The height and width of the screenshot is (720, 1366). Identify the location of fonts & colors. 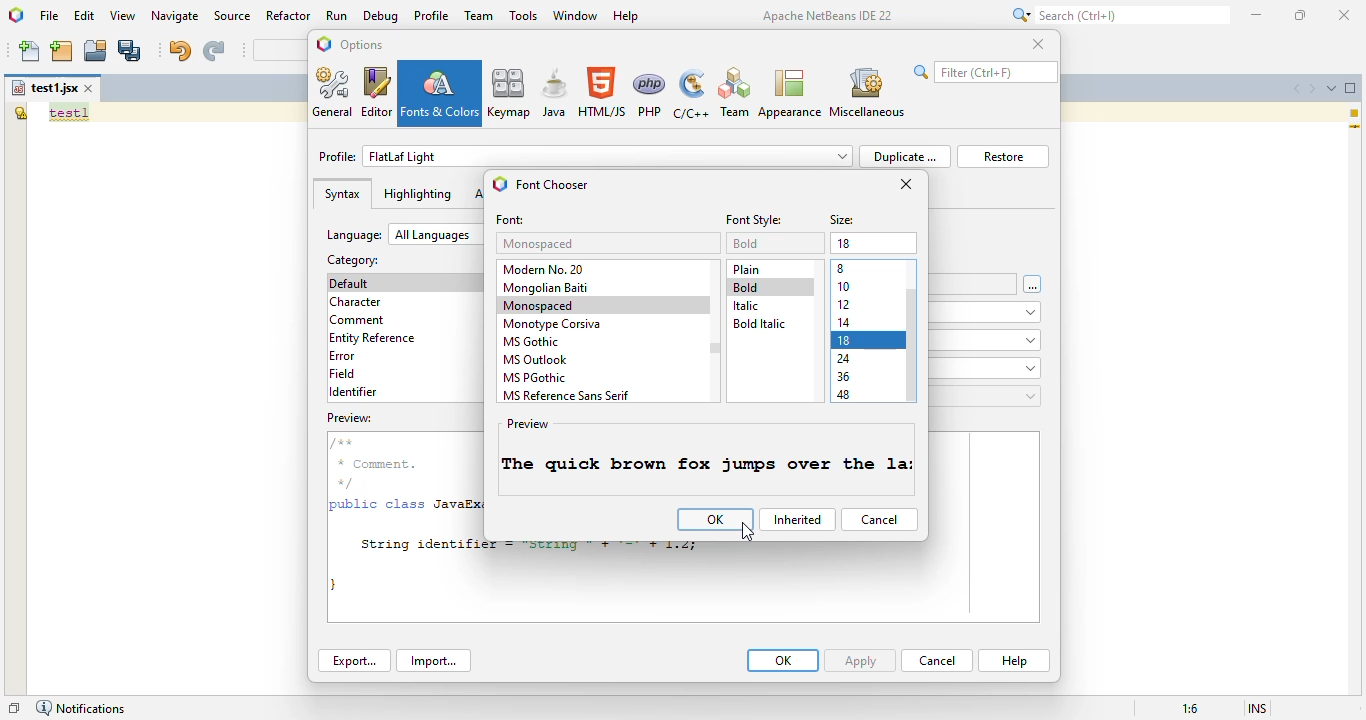
(441, 93).